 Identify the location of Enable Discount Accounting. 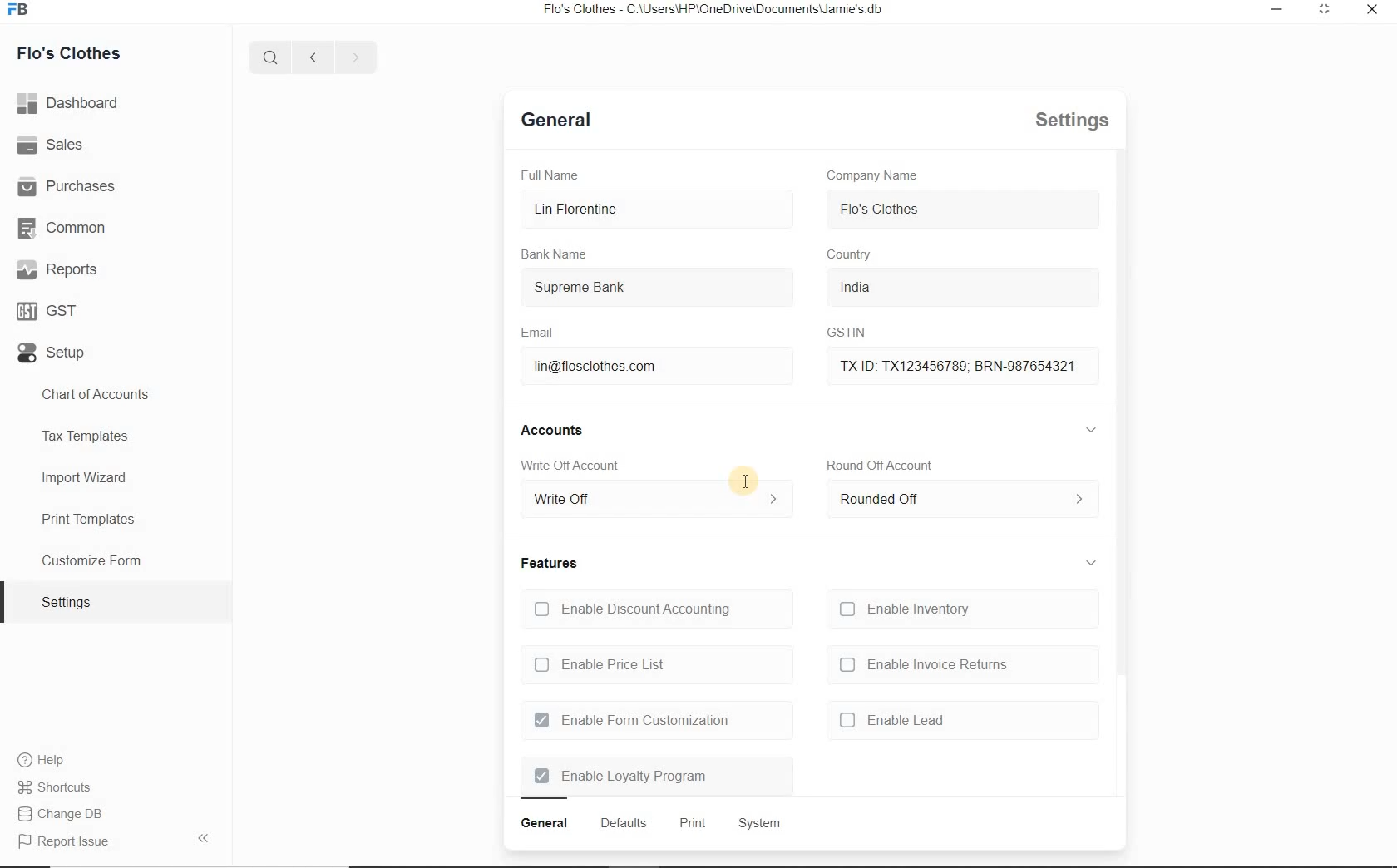
(630, 610).